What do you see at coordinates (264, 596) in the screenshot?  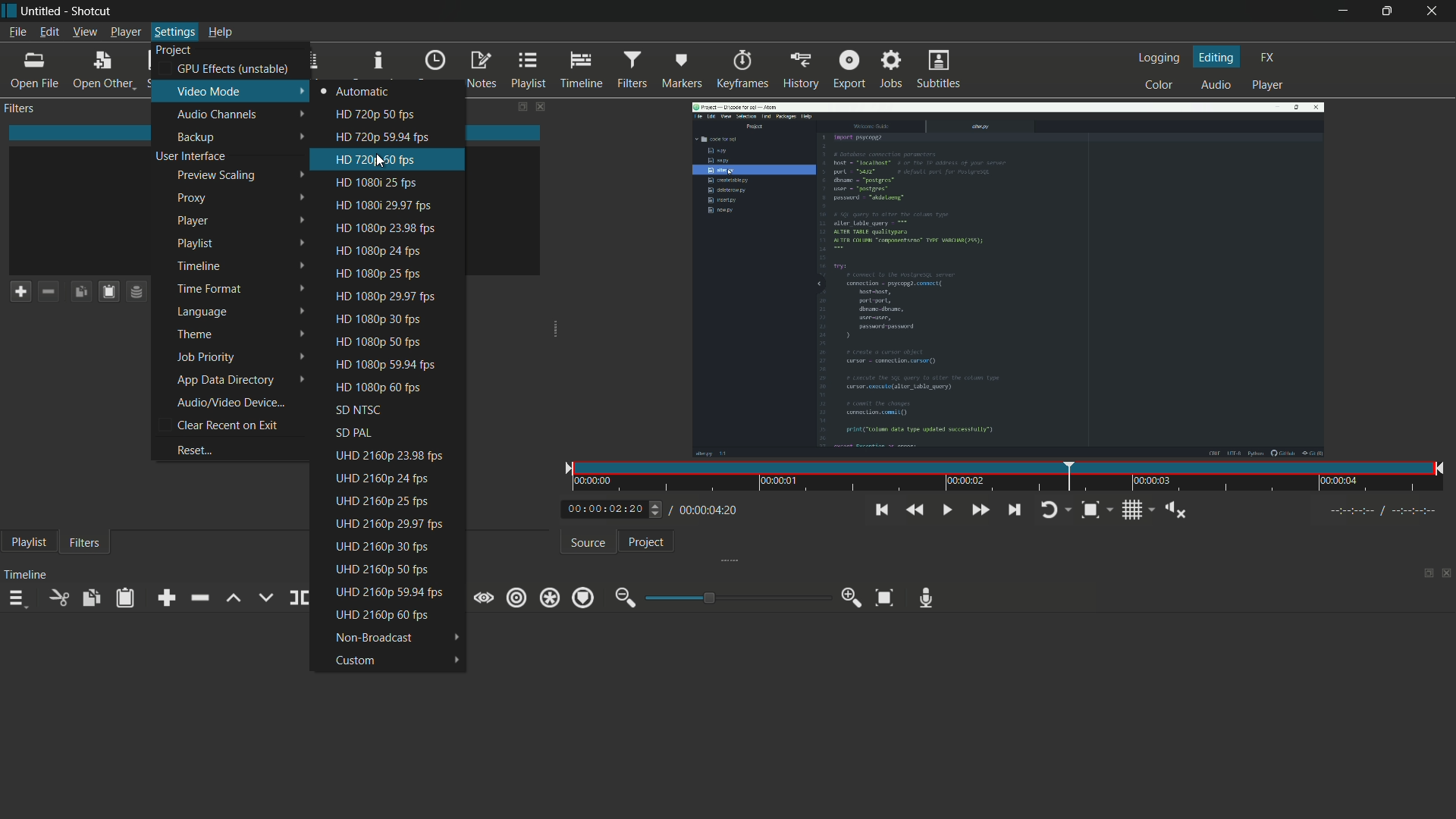 I see `overwrite` at bounding box center [264, 596].